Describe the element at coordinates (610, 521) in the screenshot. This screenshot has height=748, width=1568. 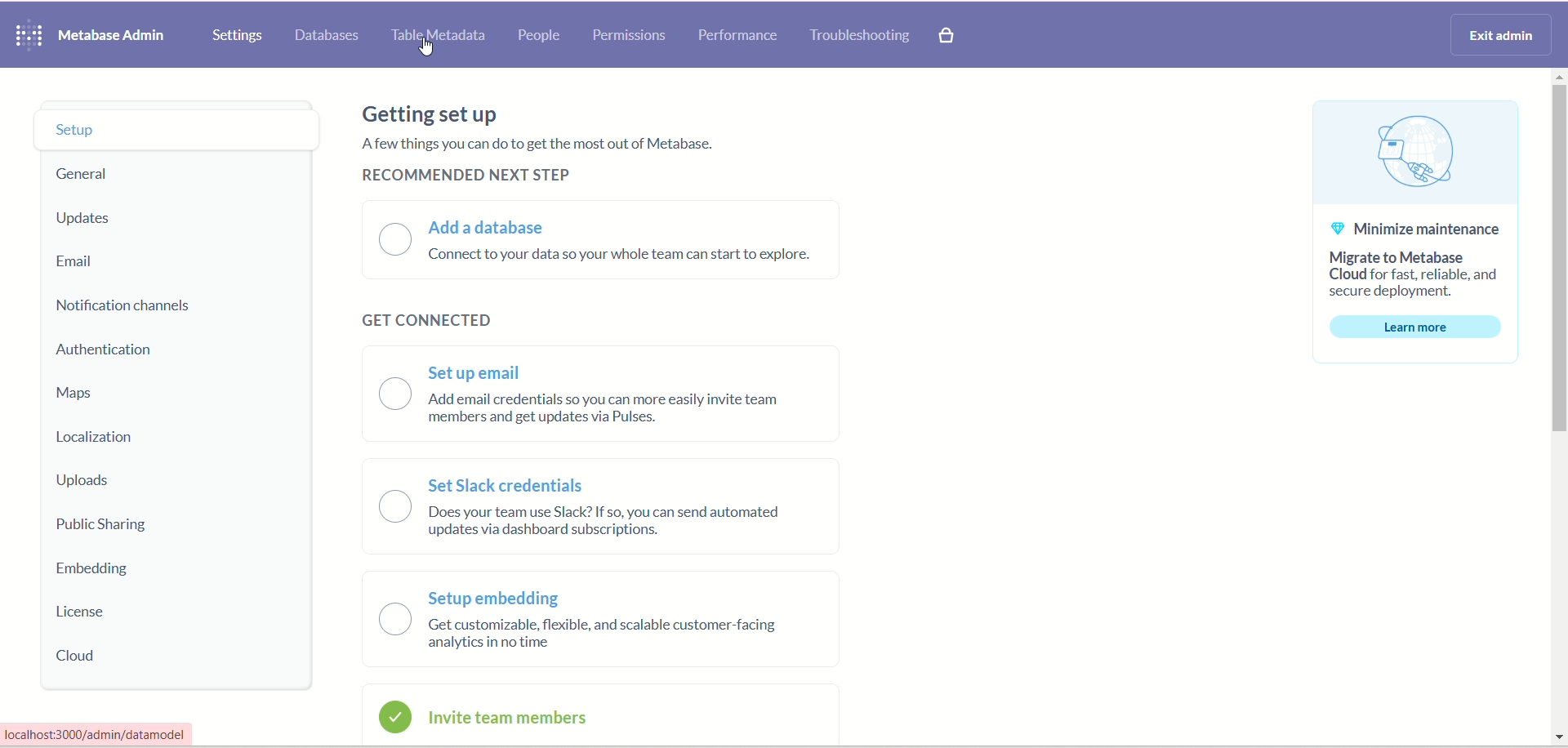
I see `does your team use slack? if so, you can send automated updates via dashboard subscription` at that location.